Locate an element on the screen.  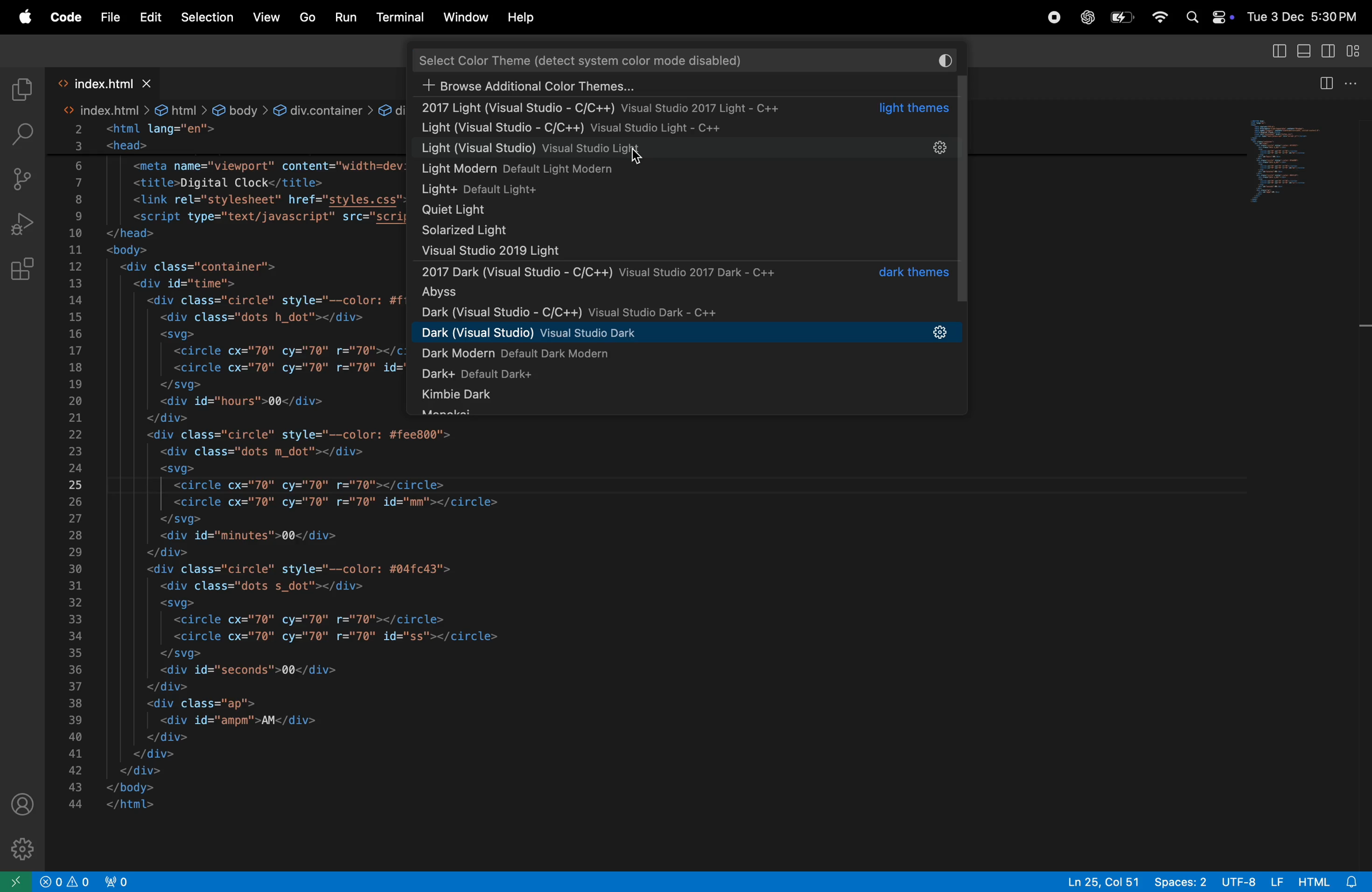
Go is located at coordinates (307, 17).